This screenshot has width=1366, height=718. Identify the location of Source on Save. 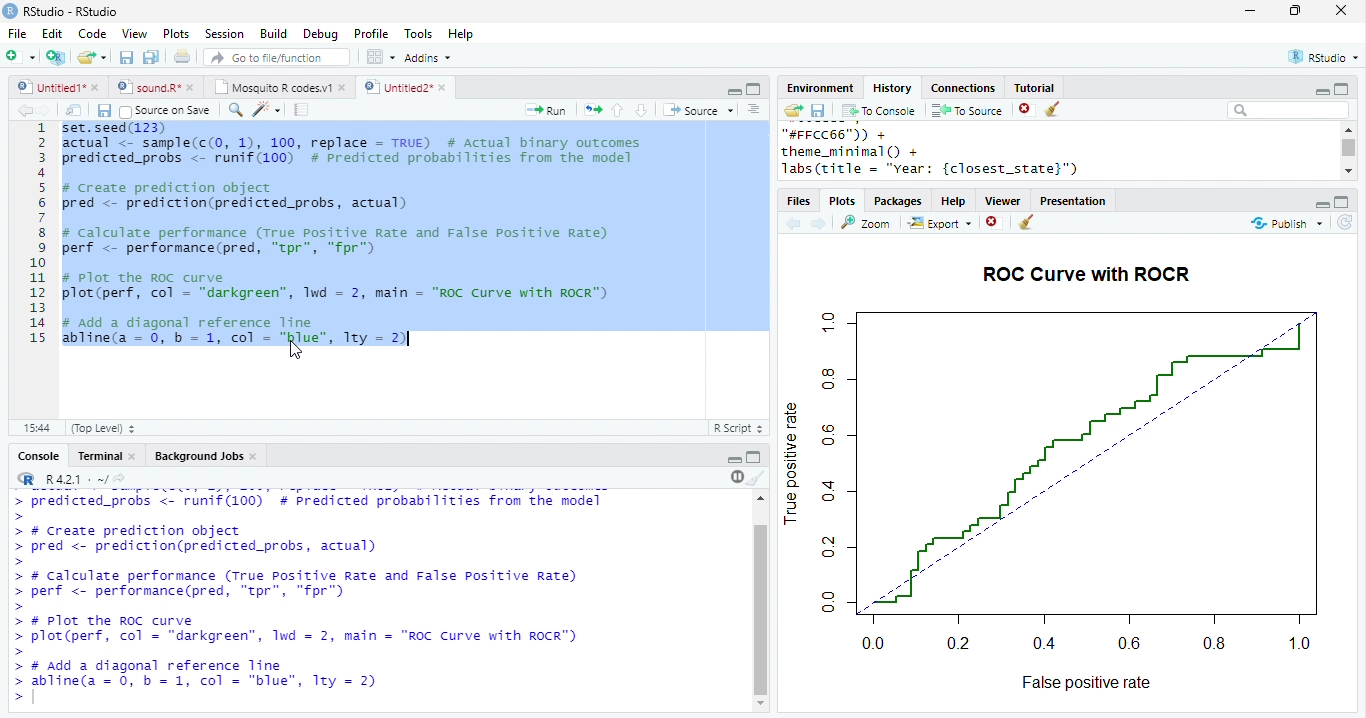
(163, 111).